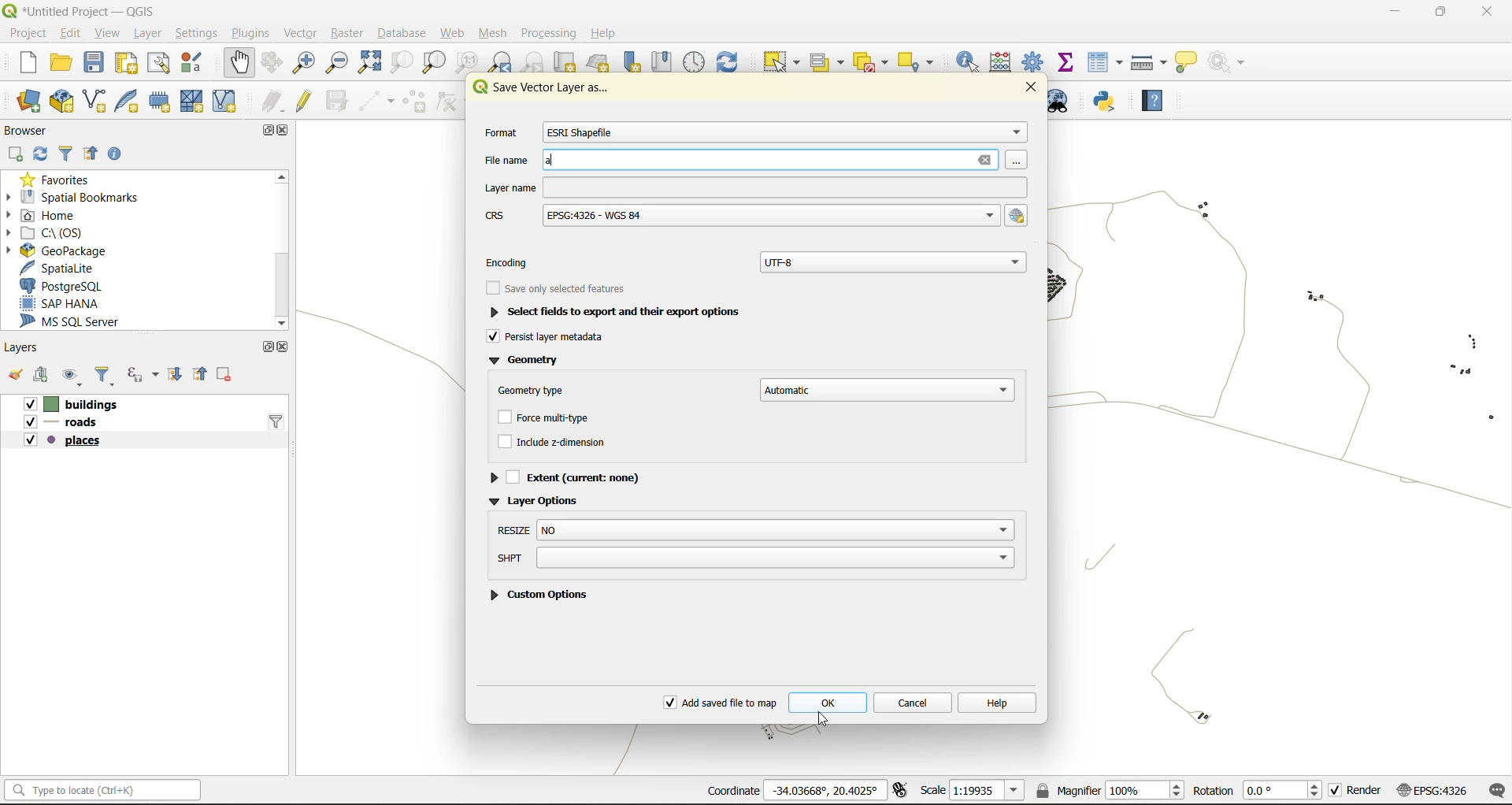 The image size is (1512, 805). What do you see at coordinates (667, 61) in the screenshot?
I see `show spatial bookmark` at bounding box center [667, 61].